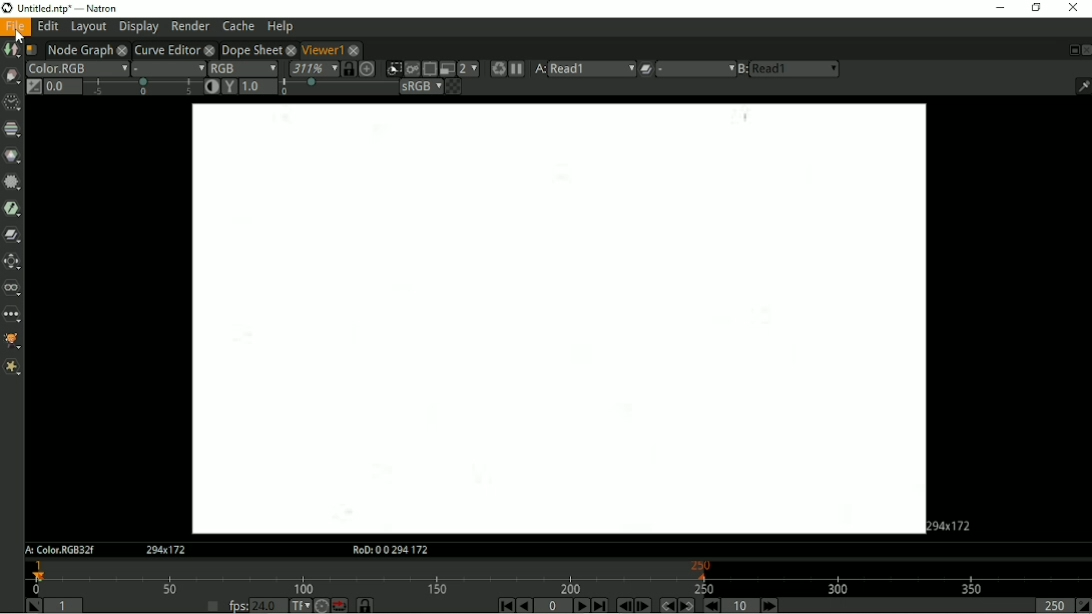 The width and height of the screenshot is (1092, 614). What do you see at coordinates (46, 26) in the screenshot?
I see `Edit` at bounding box center [46, 26].